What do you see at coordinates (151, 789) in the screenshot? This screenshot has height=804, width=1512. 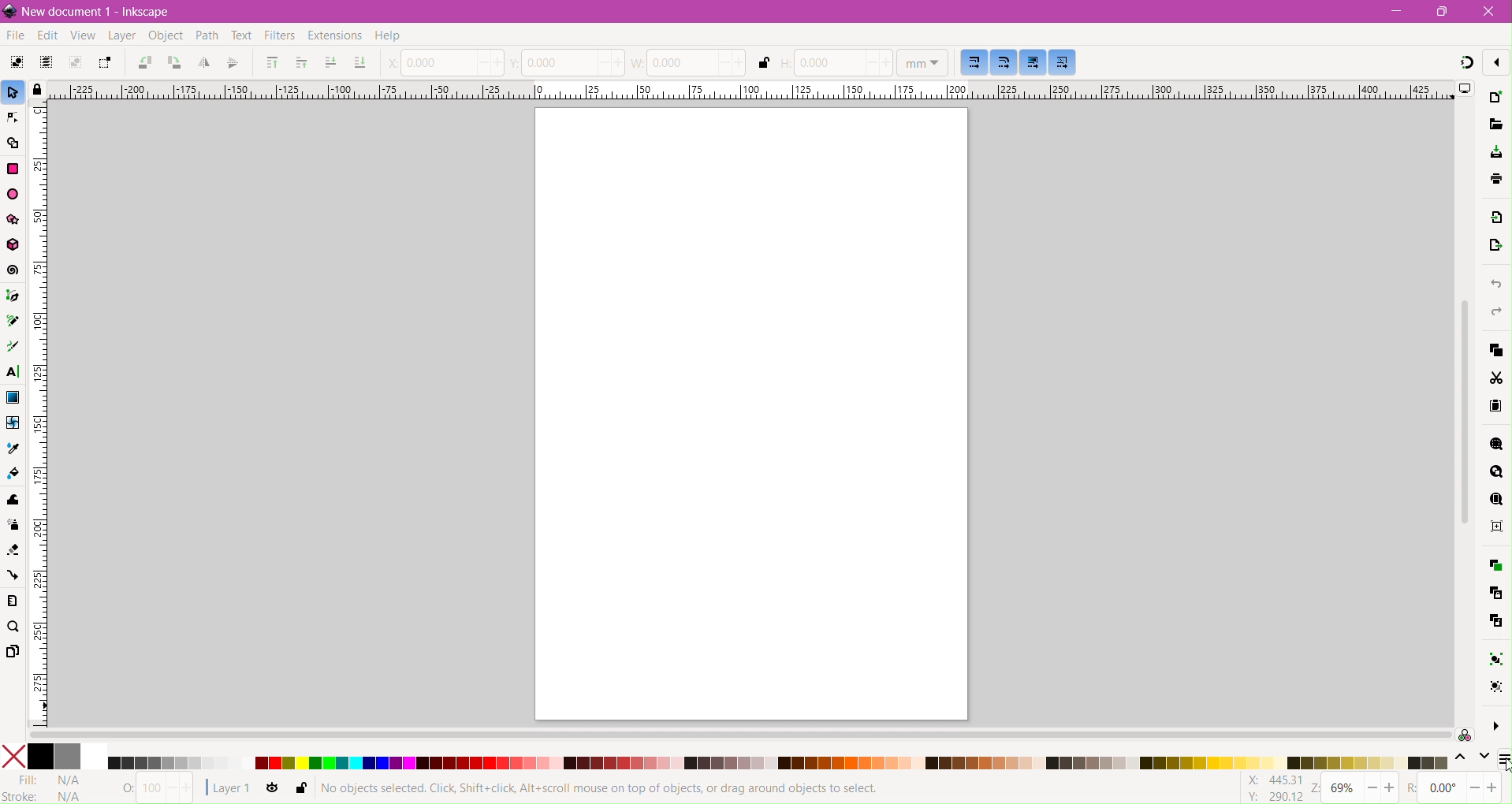 I see `Nothing Selected` at bounding box center [151, 789].